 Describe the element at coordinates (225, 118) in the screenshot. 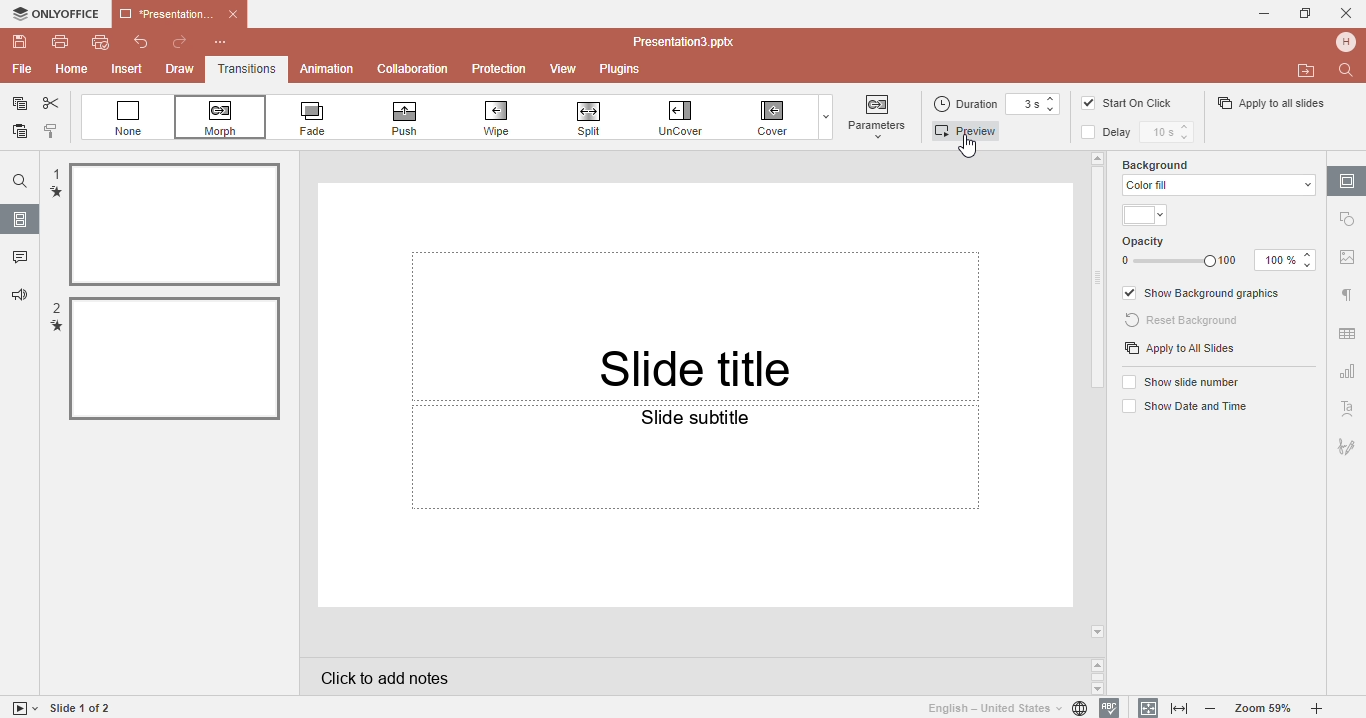

I see `Morph` at that location.